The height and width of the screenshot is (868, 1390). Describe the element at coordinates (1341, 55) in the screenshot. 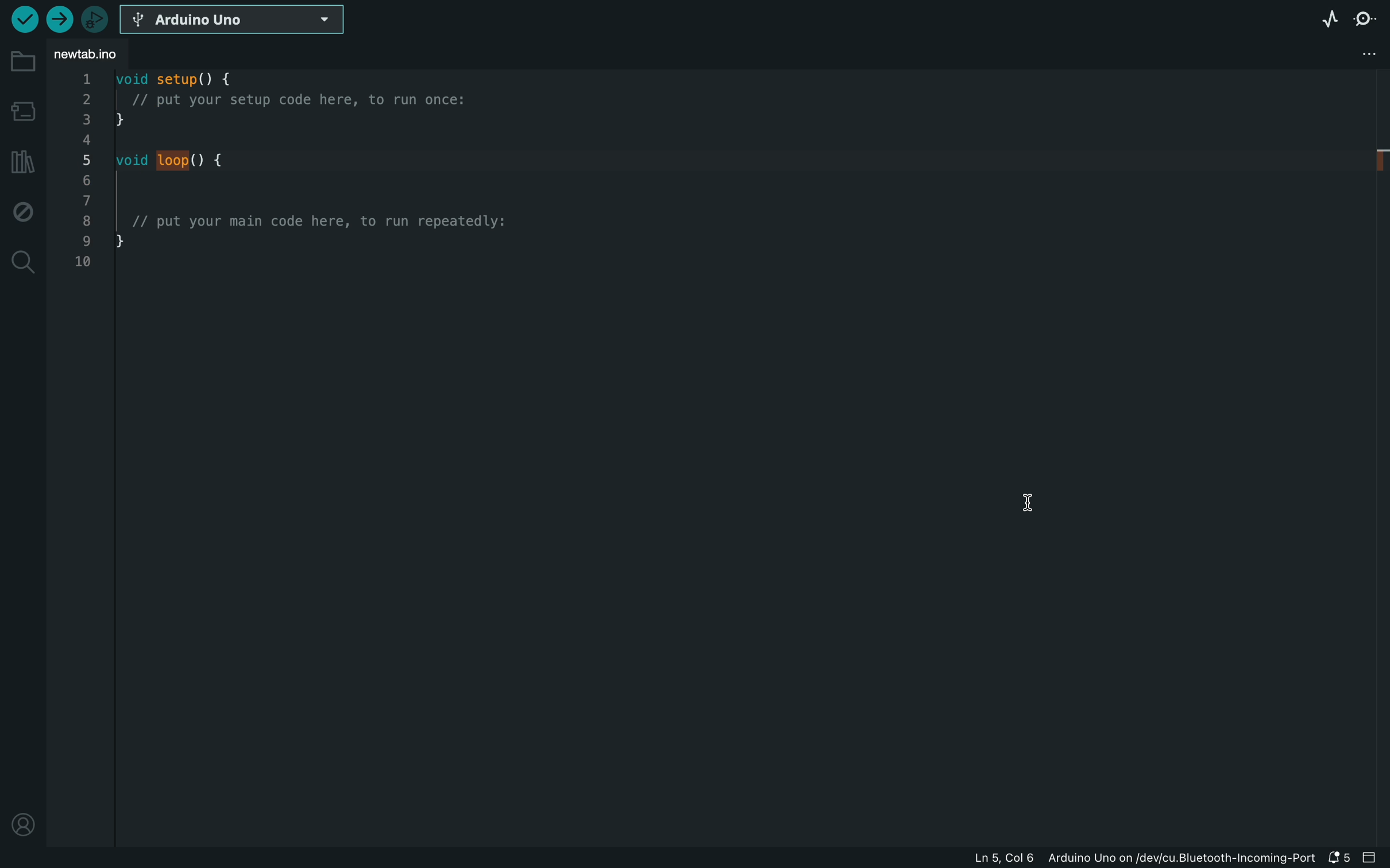

I see `file setting` at that location.